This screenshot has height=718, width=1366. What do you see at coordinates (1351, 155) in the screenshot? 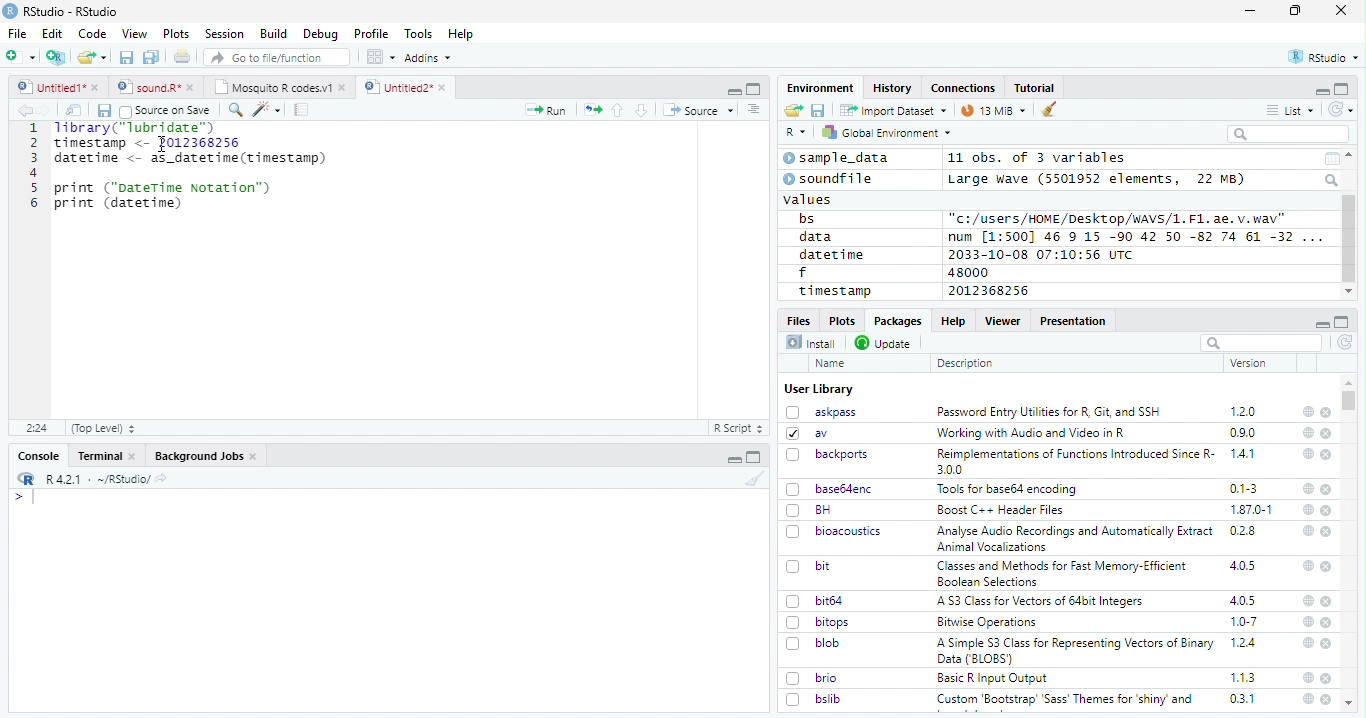
I see `scroll up` at bounding box center [1351, 155].